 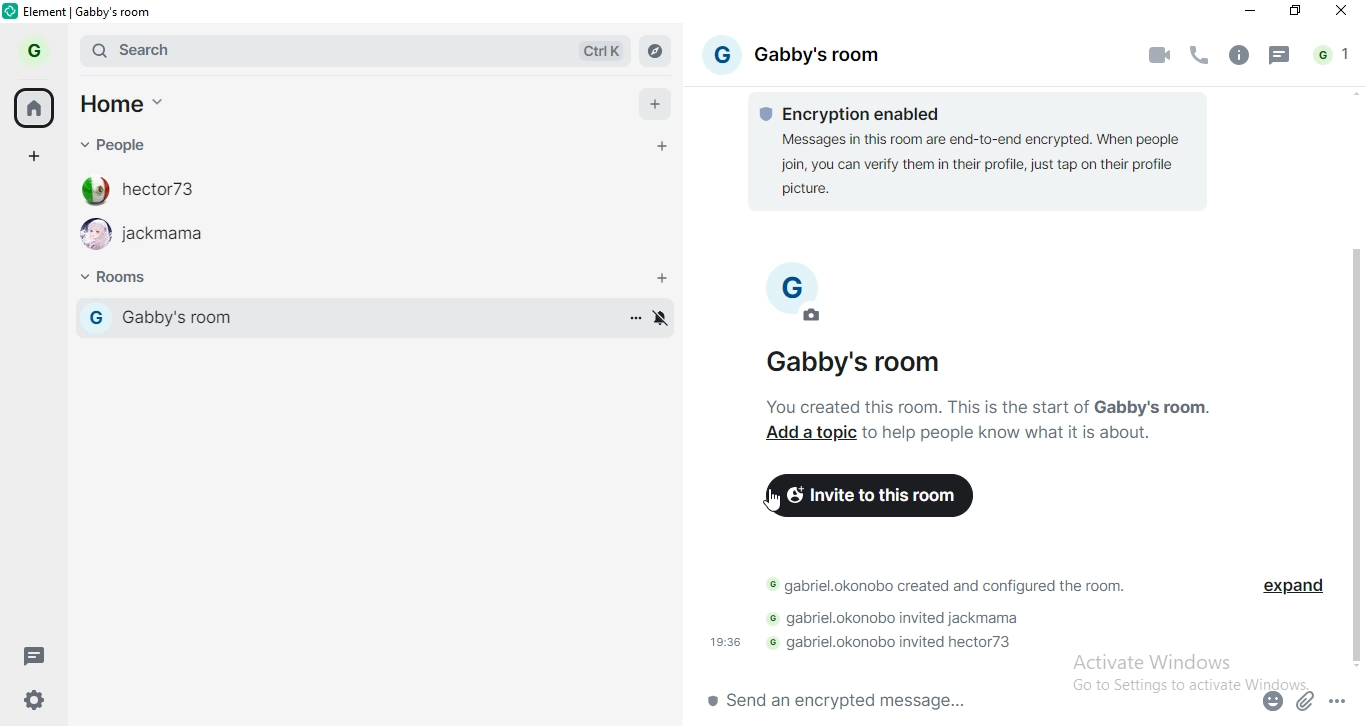 What do you see at coordinates (725, 56) in the screenshot?
I see `profile` at bounding box center [725, 56].